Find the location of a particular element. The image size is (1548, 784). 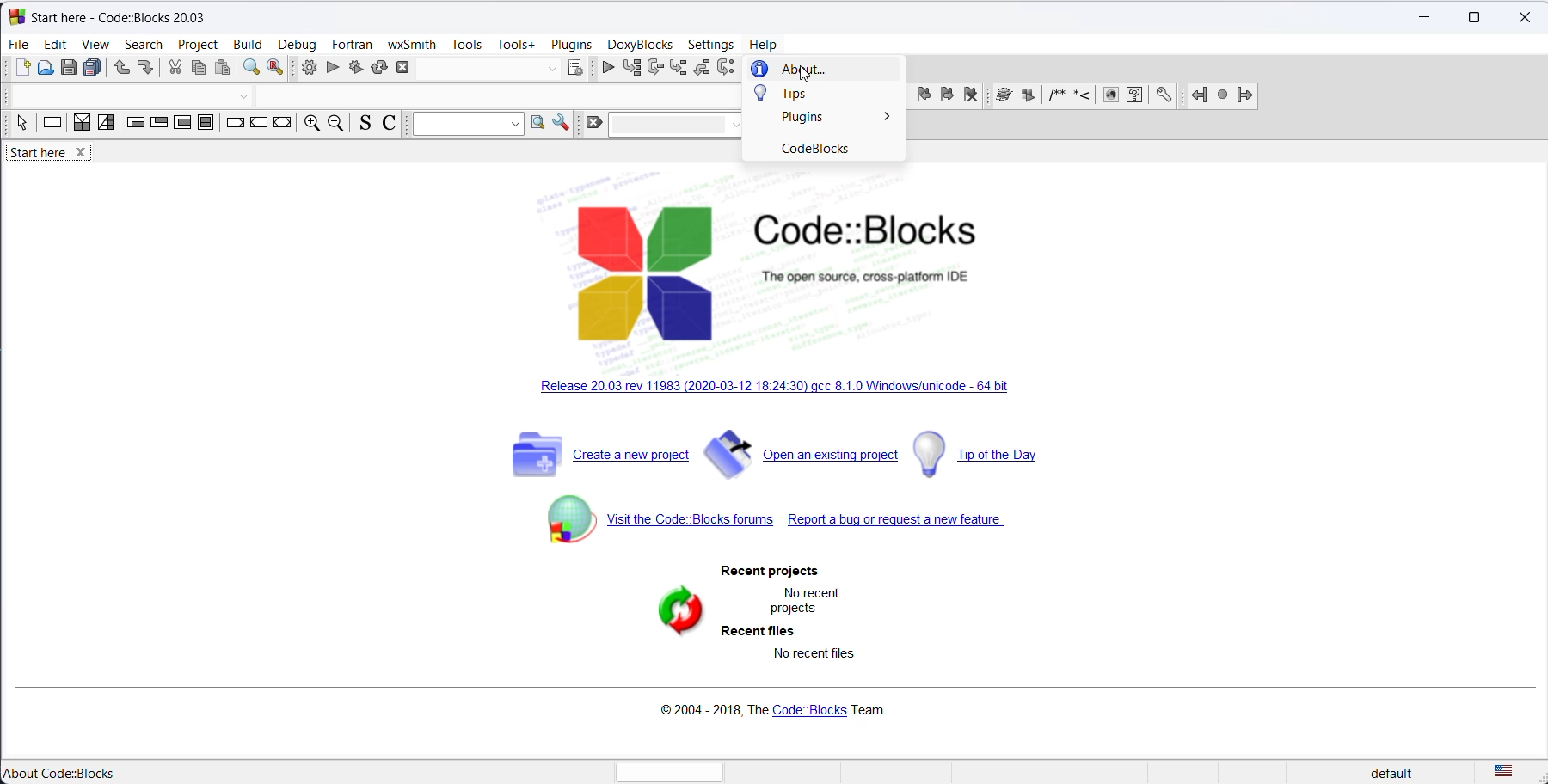

copy is located at coordinates (199, 69).